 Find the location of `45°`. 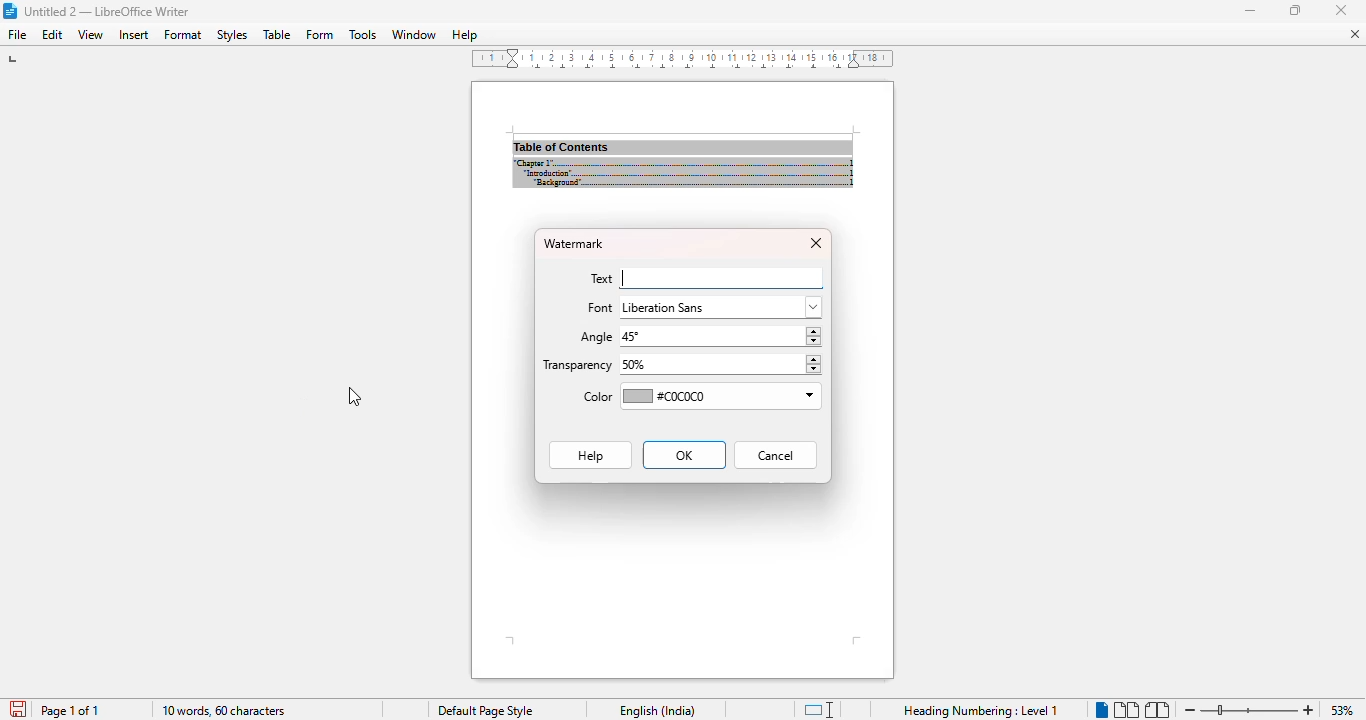

45° is located at coordinates (719, 336).